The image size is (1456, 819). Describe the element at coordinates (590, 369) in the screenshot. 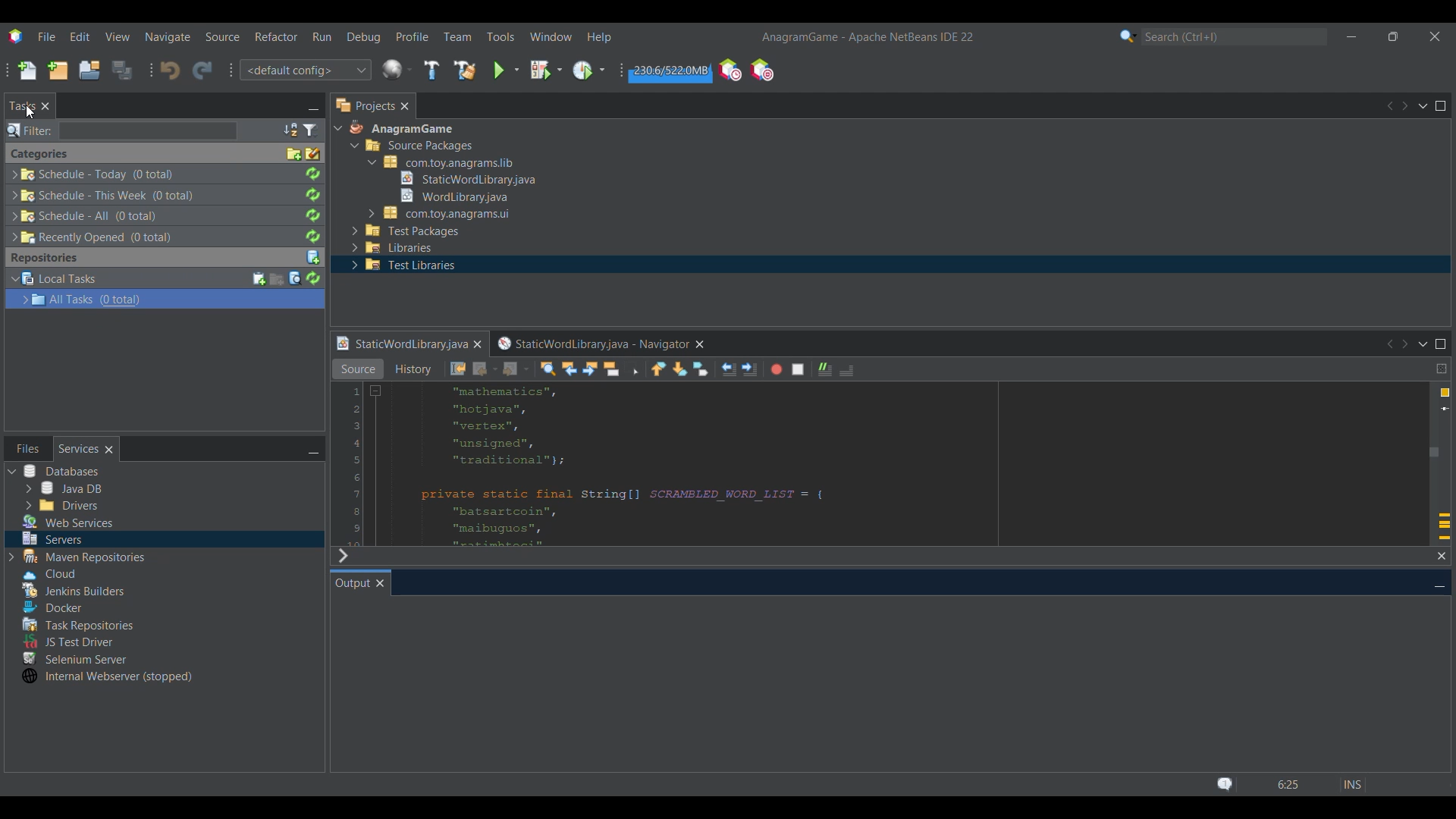

I see `Find next occurrence ` at that location.